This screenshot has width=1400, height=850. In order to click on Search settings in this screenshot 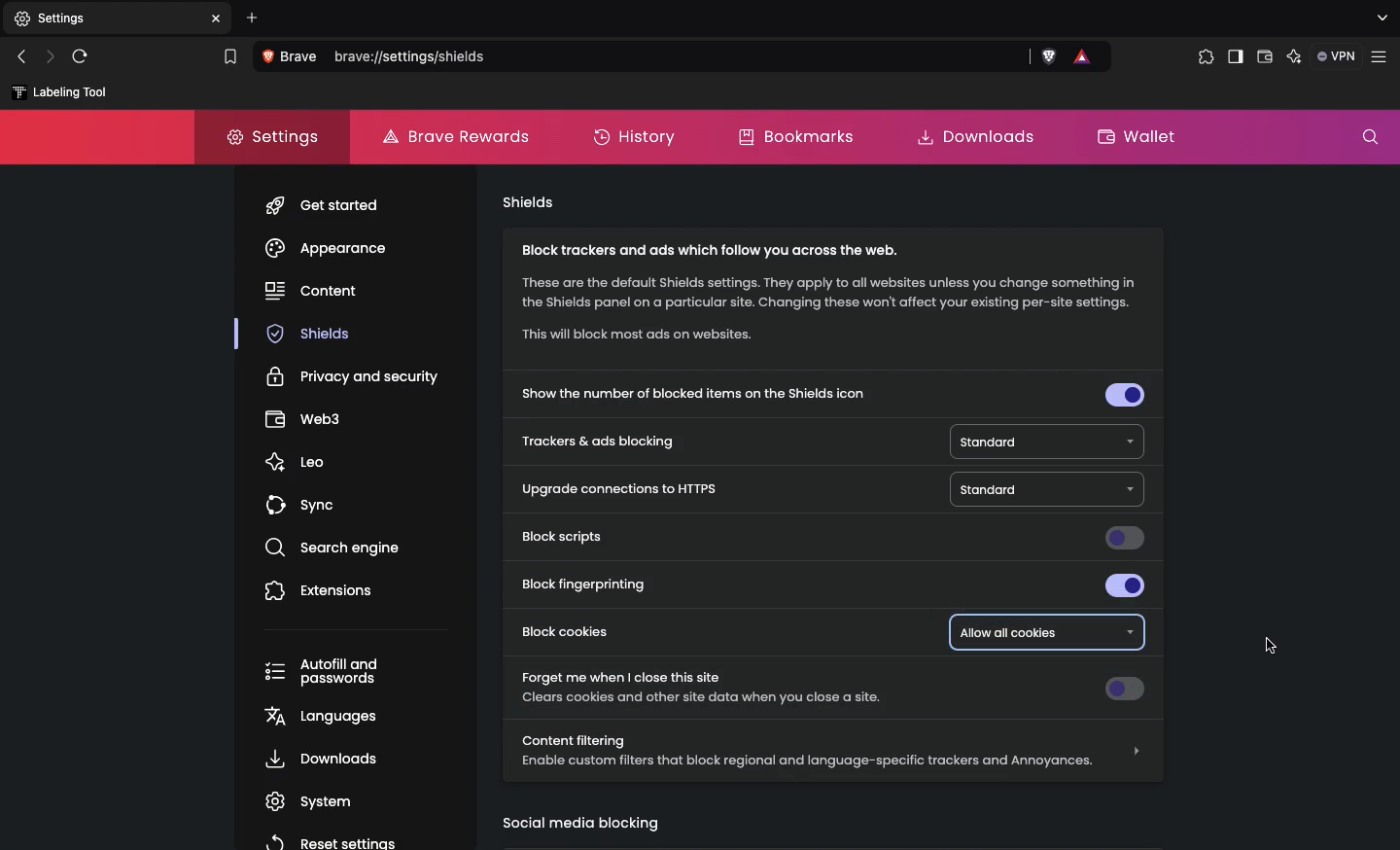, I will do `click(1369, 134)`.